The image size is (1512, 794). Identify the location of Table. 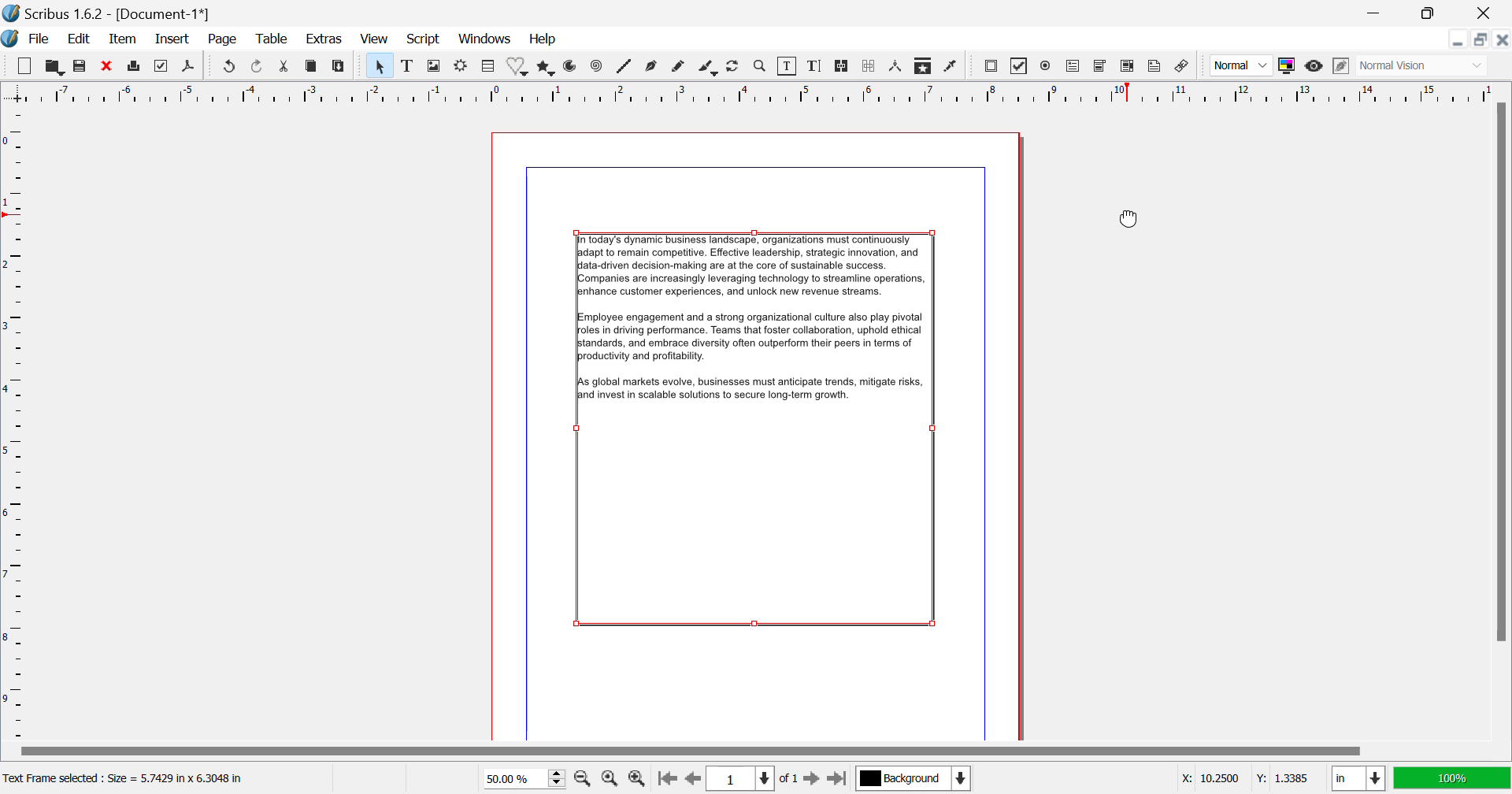
(488, 66).